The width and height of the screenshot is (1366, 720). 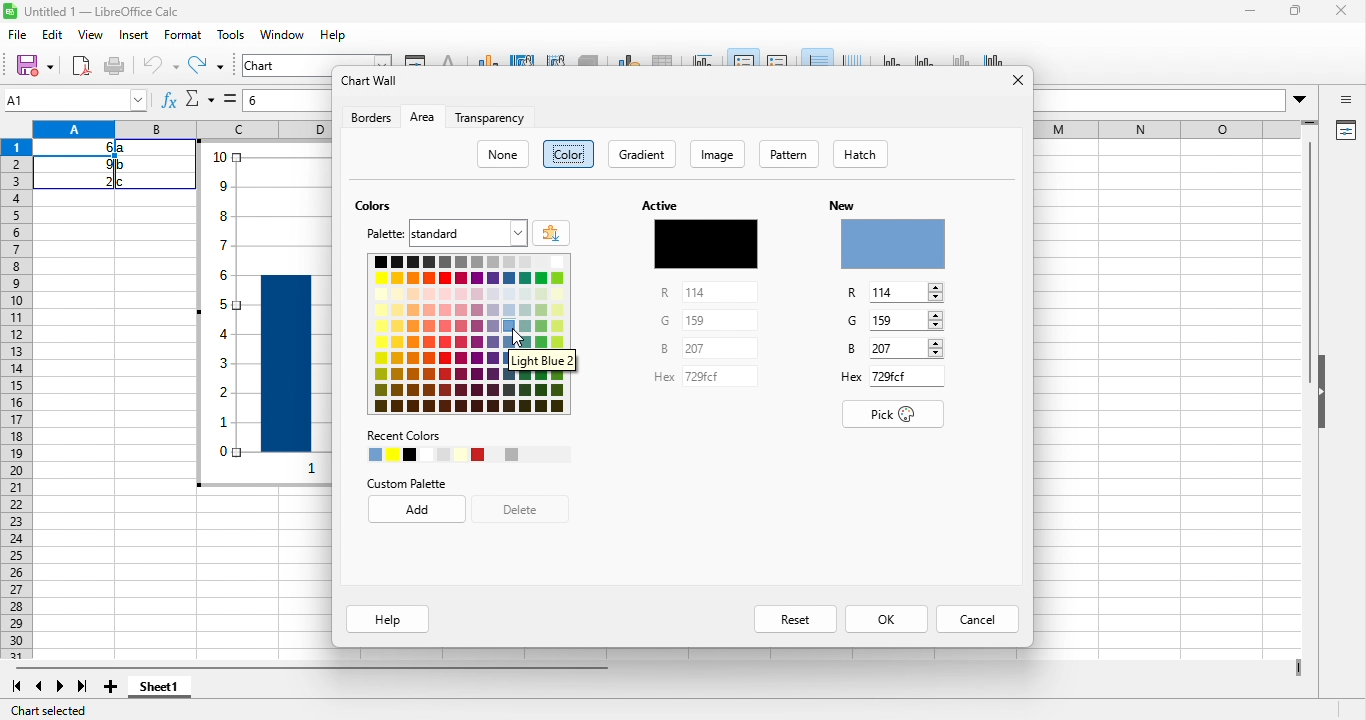 What do you see at coordinates (180, 692) in the screenshot?
I see `sheet1` at bounding box center [180, 692].